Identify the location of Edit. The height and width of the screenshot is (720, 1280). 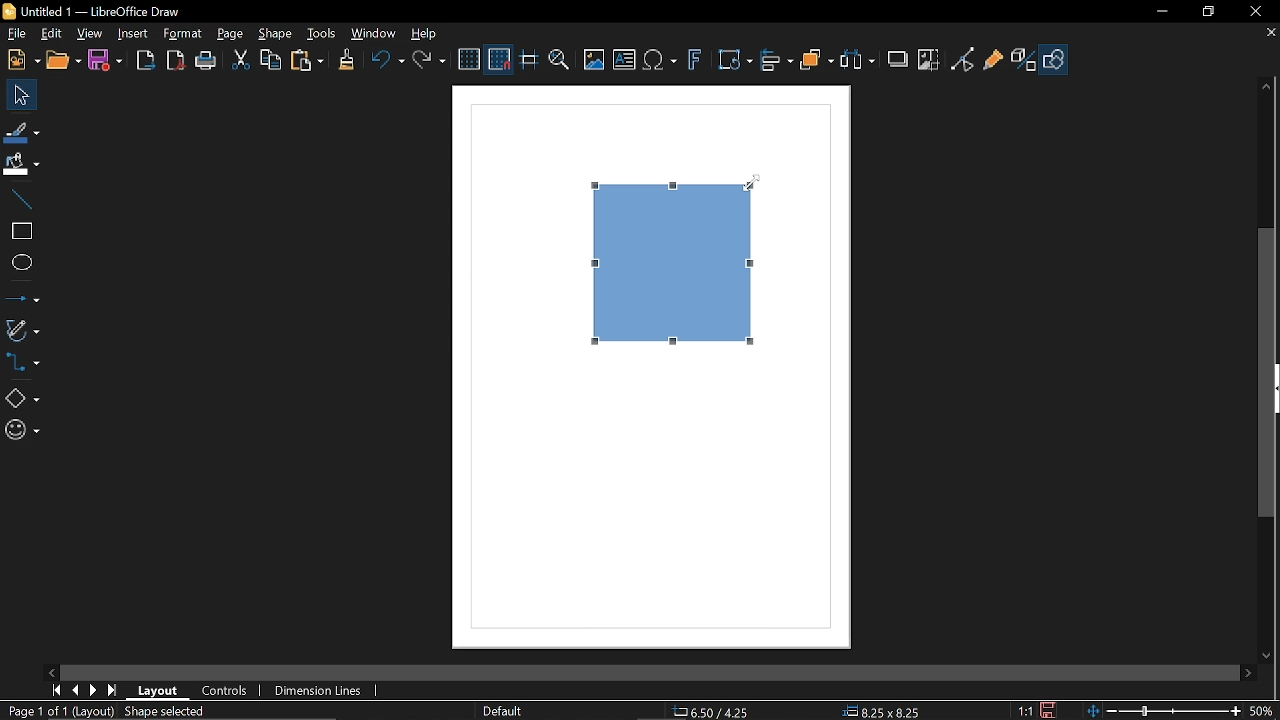
(50, 32).